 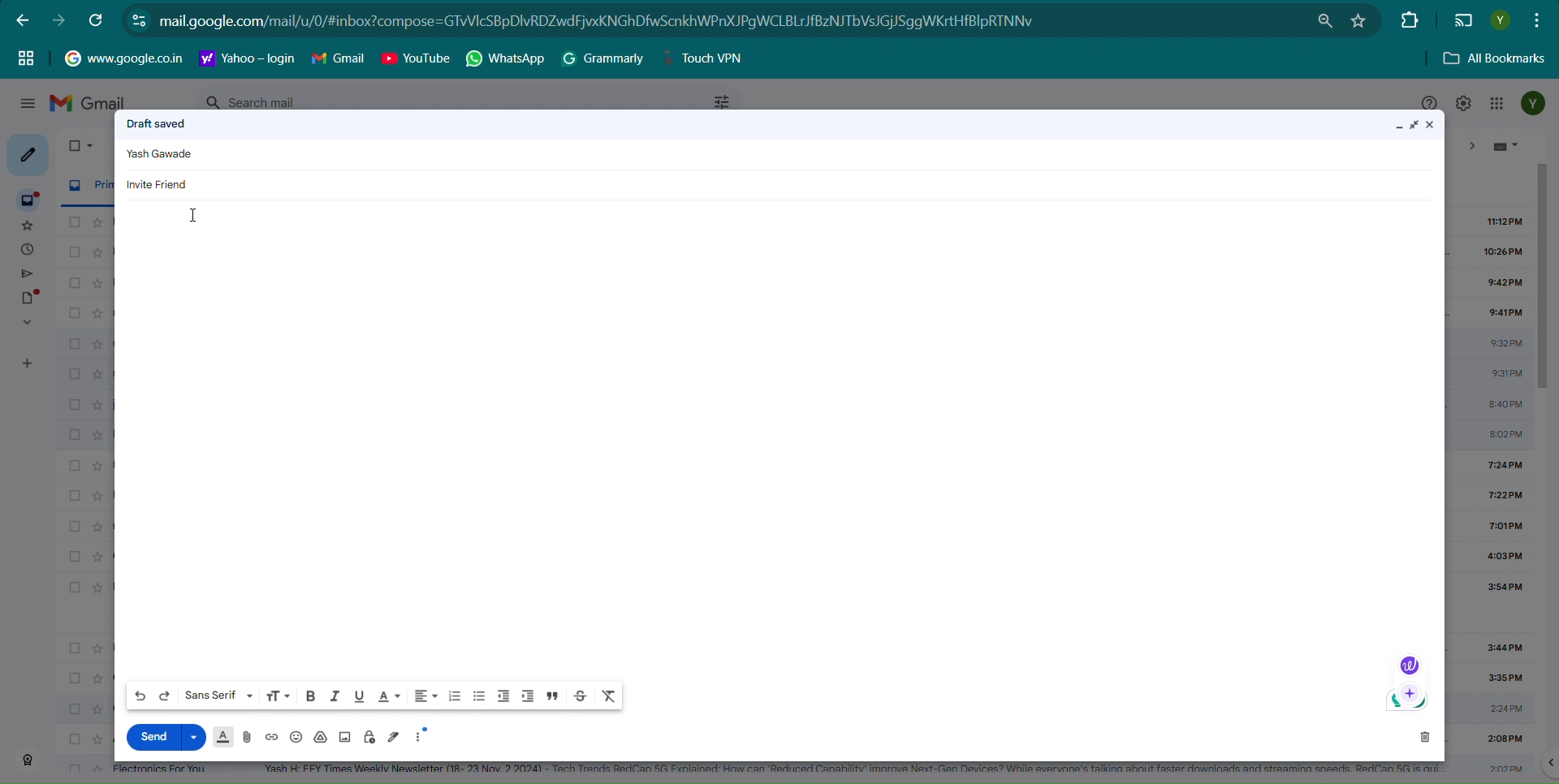 I want to click on Indent more, so click(x=527, y=696).